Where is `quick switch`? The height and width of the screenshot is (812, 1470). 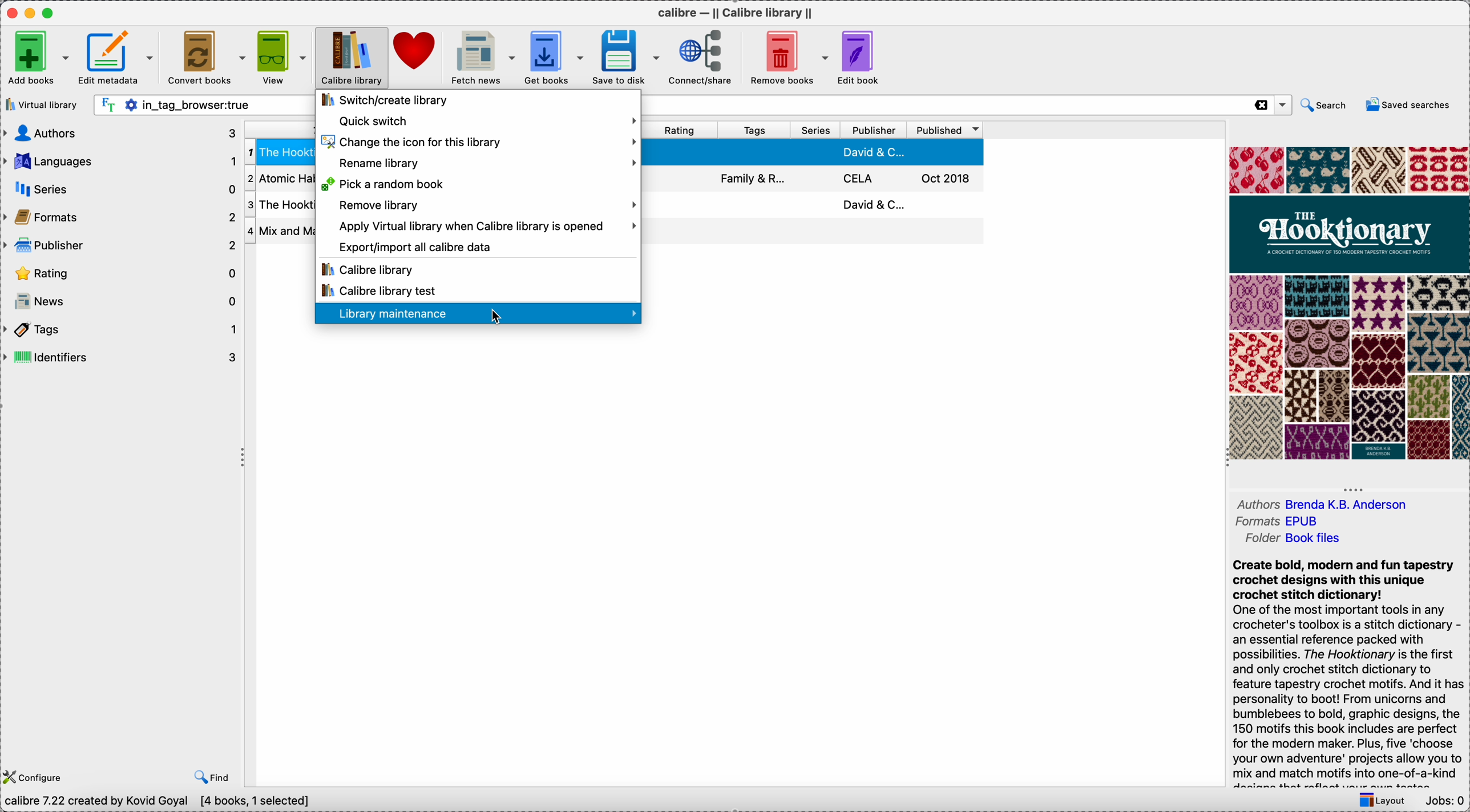
quick switch is located at coordinates (484, 122).